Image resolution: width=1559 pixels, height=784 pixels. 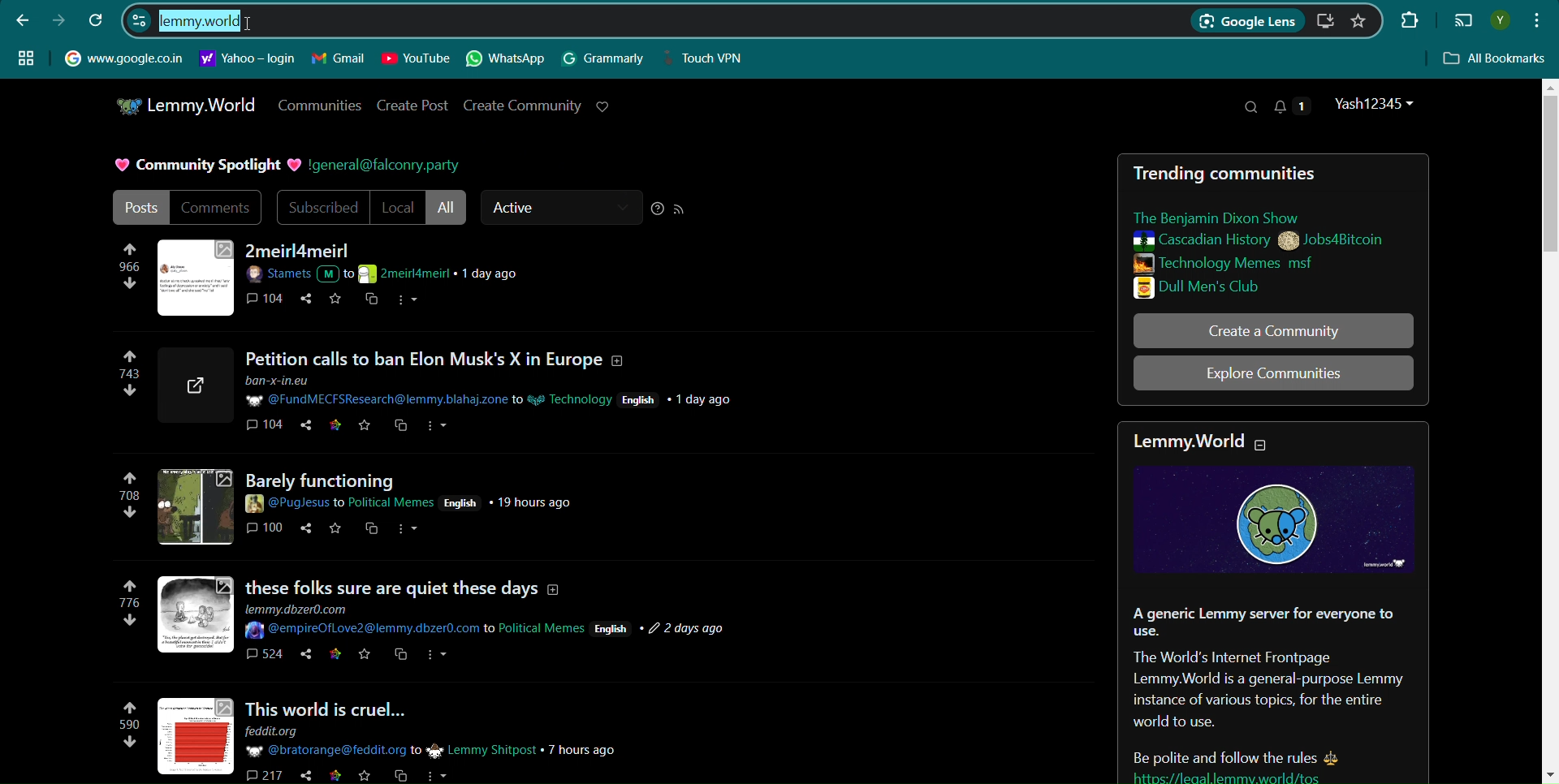 What do you see at coordinates (129, 272) in the screenshot?
I see `966` at bounding box center [129, 272].